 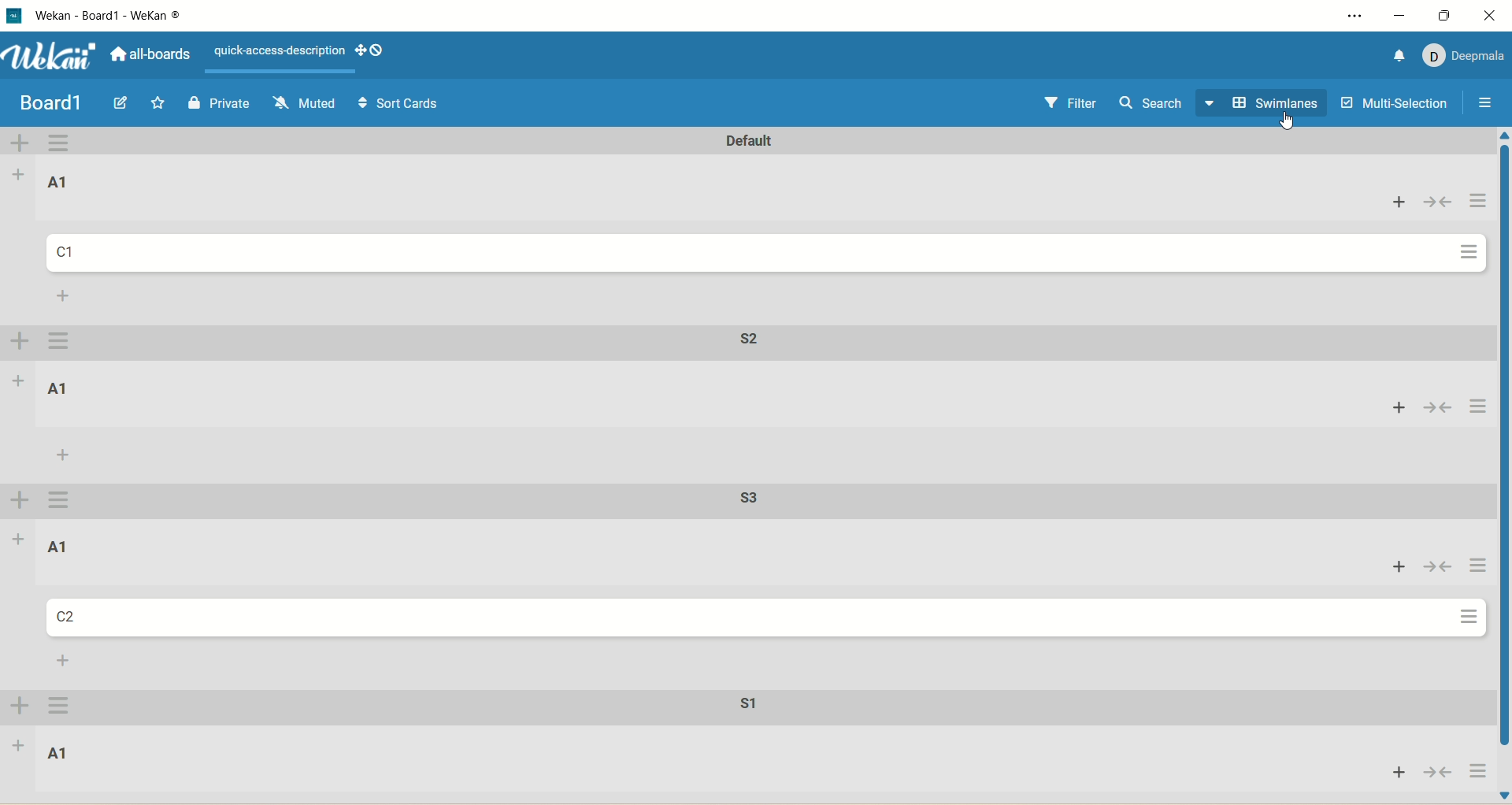 What do you see at coordinates (58, 500) in the screenshot?
I see `swimlane actions` at bounding box center [58, 500].